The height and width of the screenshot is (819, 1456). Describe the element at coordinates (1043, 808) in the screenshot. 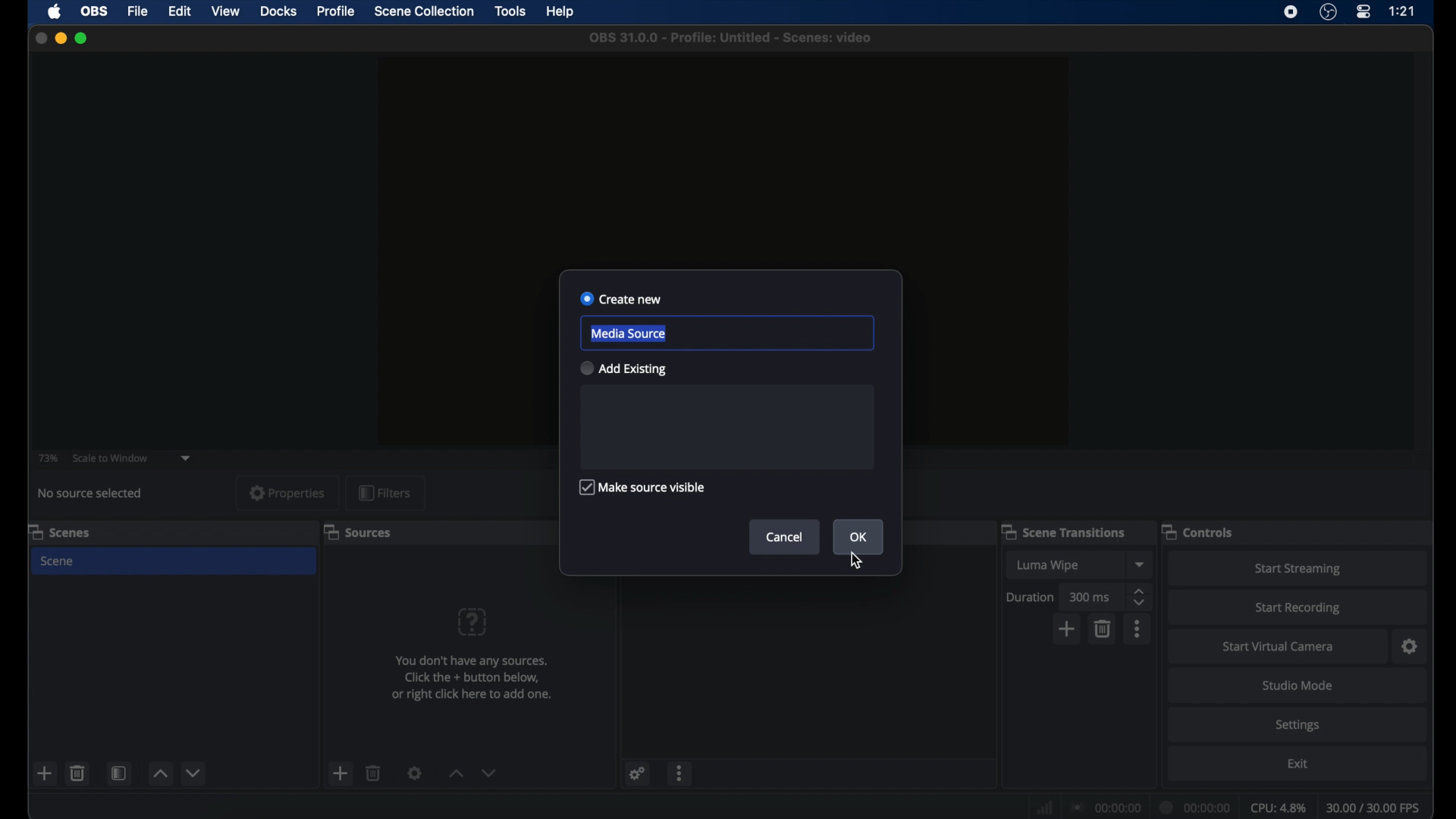

I see `network` at that location.